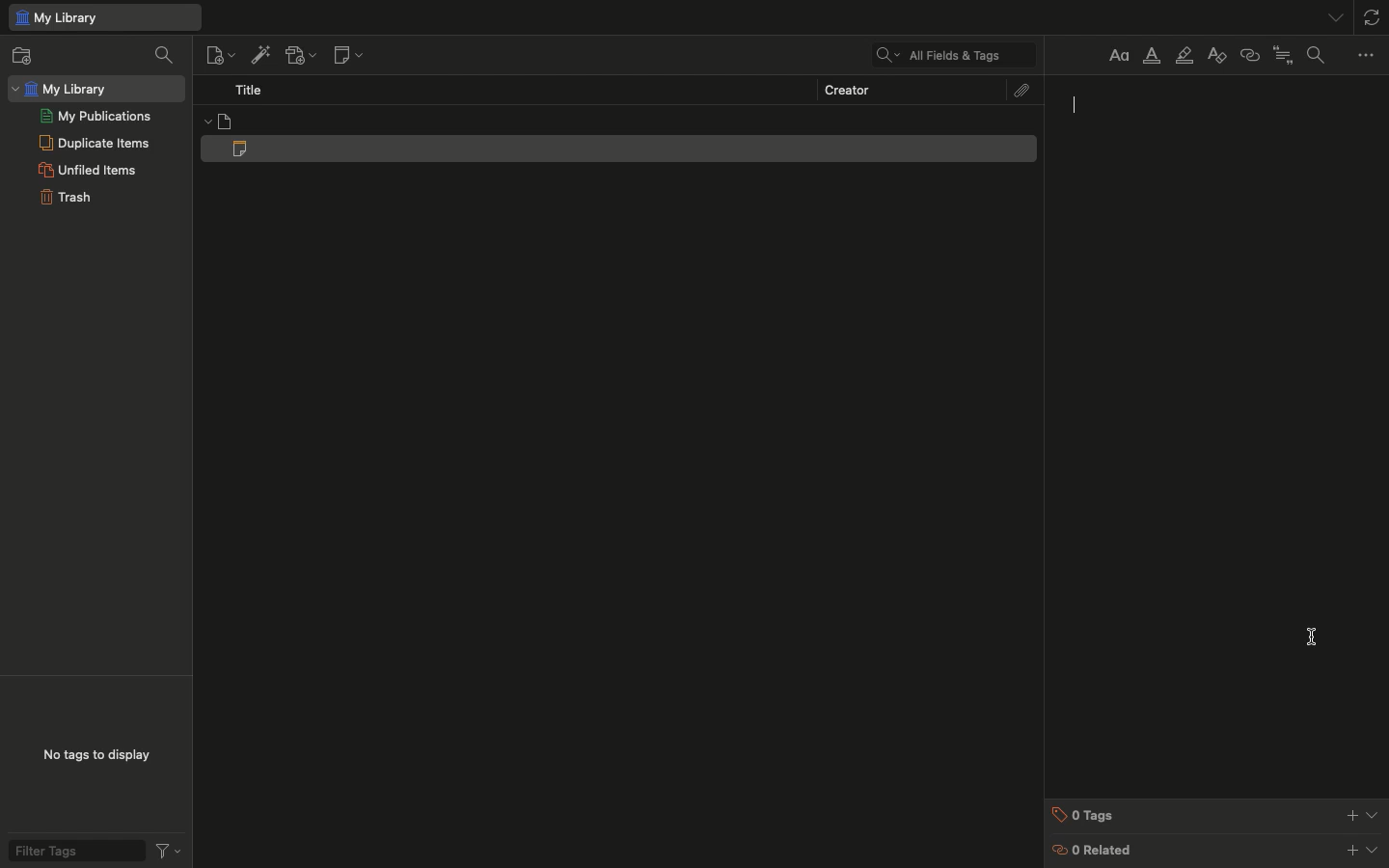 The height and width of the screenshot is (868, 1389). I want to click on mouse cursor, so click(1313, 638).